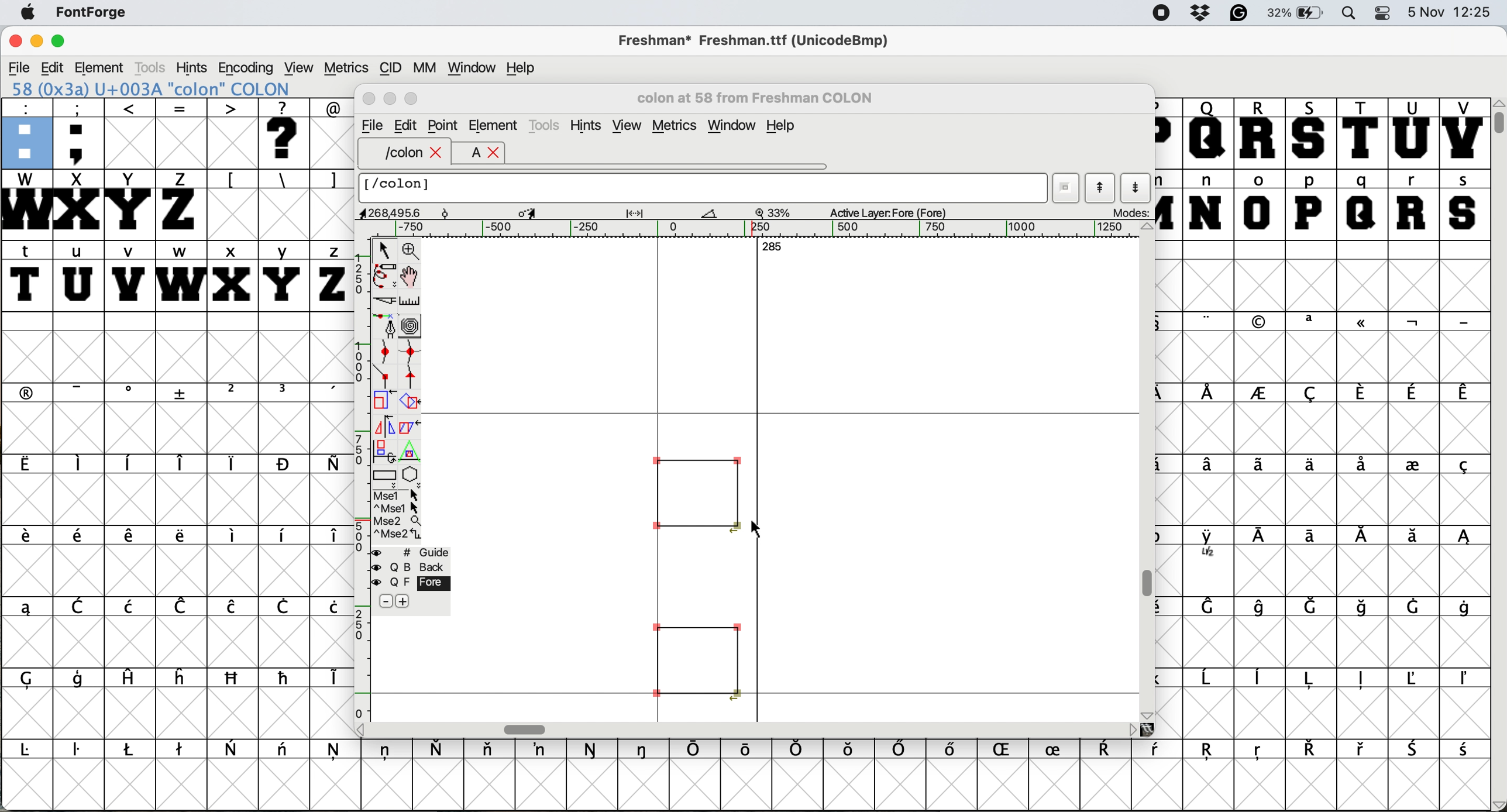 The width and height of the screenshot is (1507, 812). What do you see at coordinates (285, 752) in the screenshot?
I see `symbol` at bounding box center [285, 752].